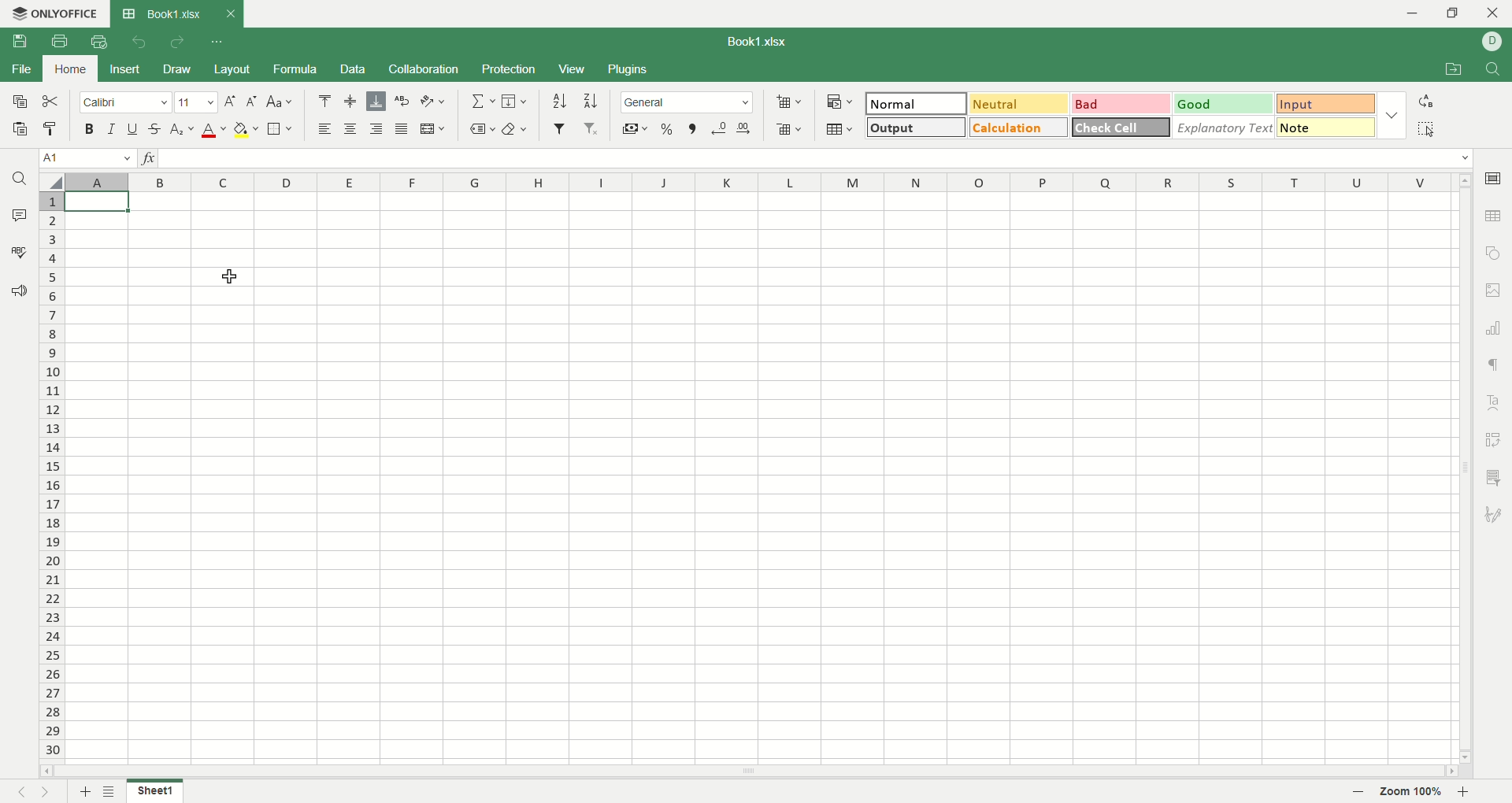  I want to click on feedback and support, so click(20, 291).